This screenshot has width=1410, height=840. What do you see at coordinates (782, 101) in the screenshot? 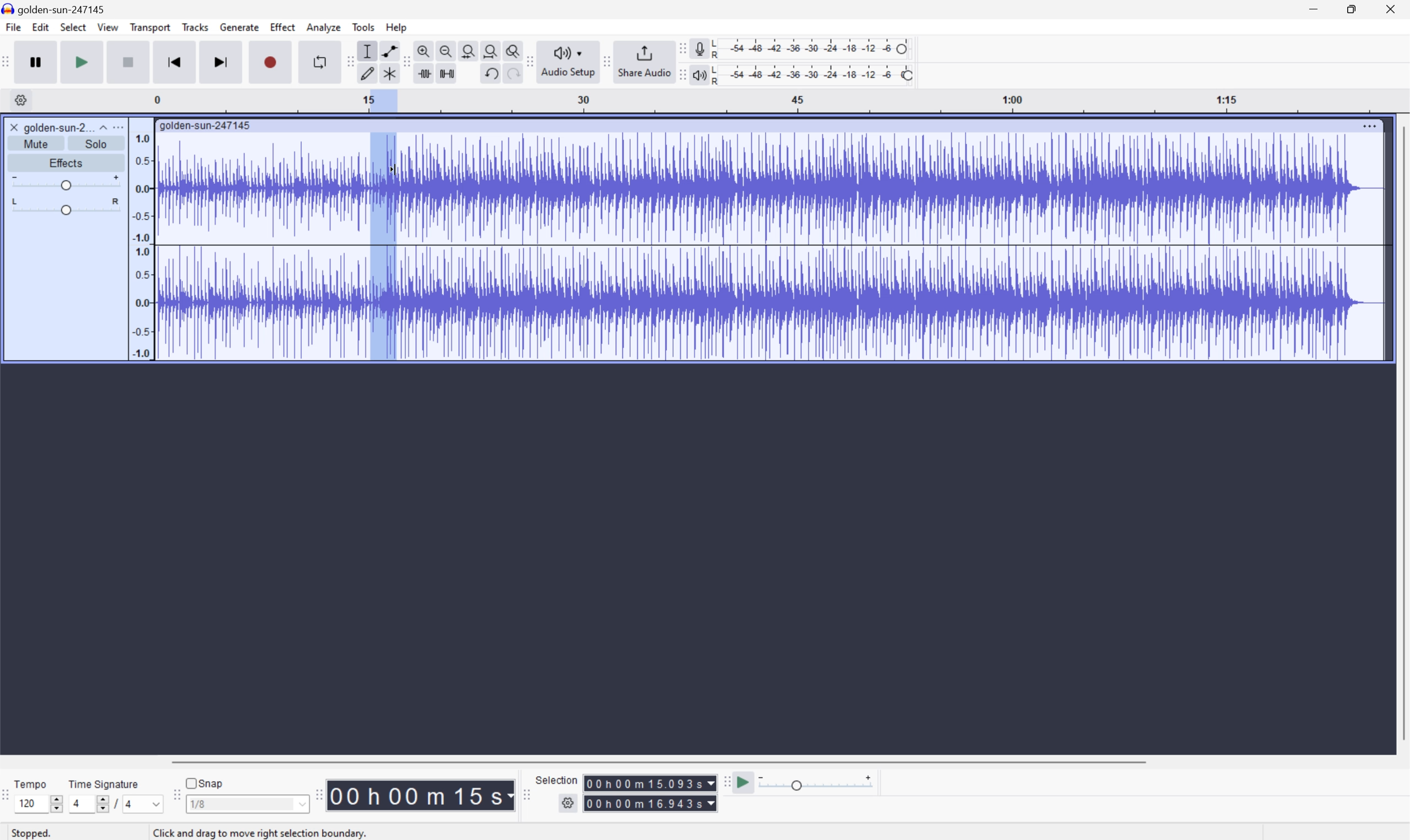
I see `Scale` at bounding box center [782, 101].